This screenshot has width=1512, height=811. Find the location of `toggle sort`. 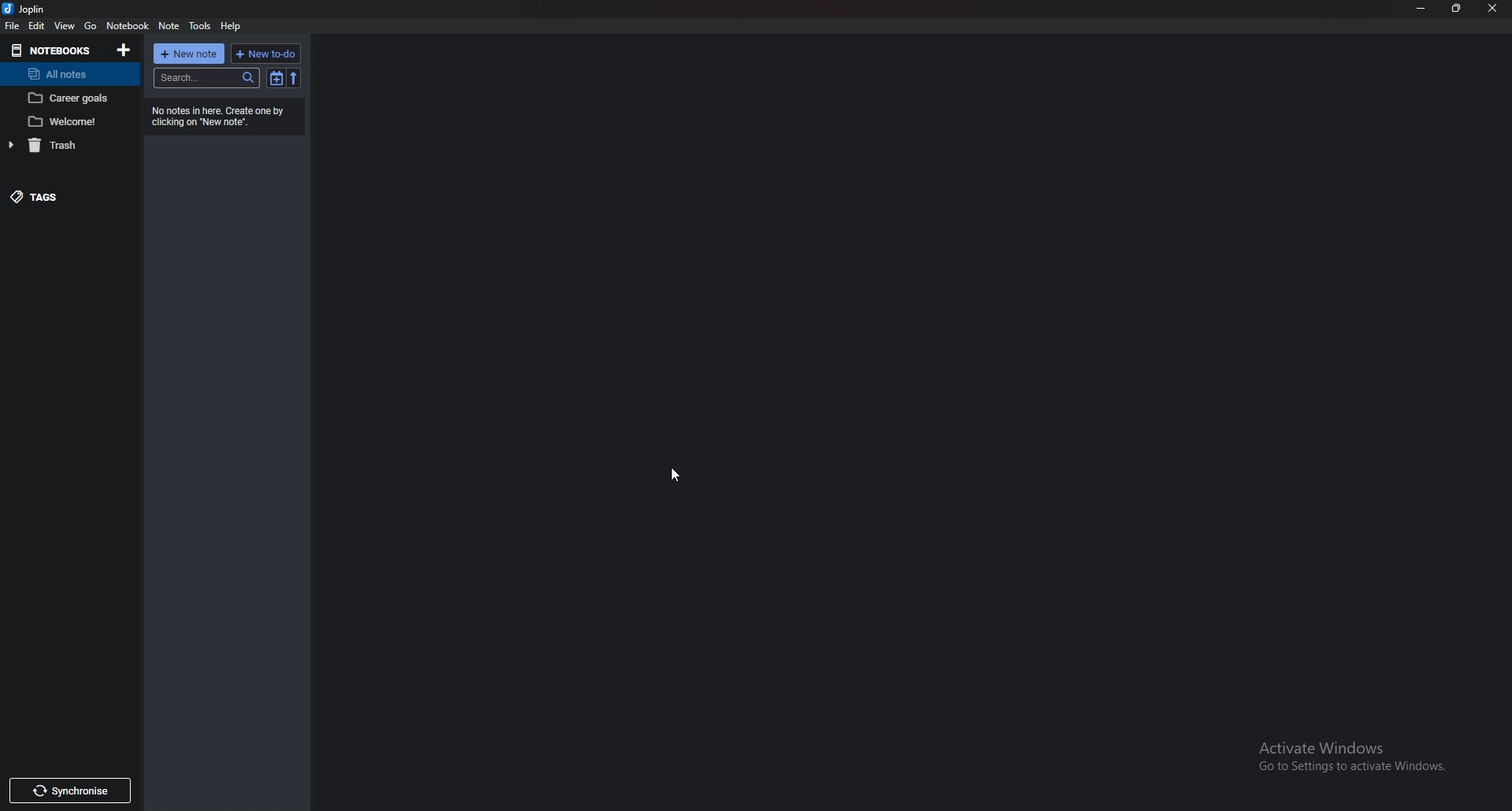

toggle sort is located at coordinates (276, 77).